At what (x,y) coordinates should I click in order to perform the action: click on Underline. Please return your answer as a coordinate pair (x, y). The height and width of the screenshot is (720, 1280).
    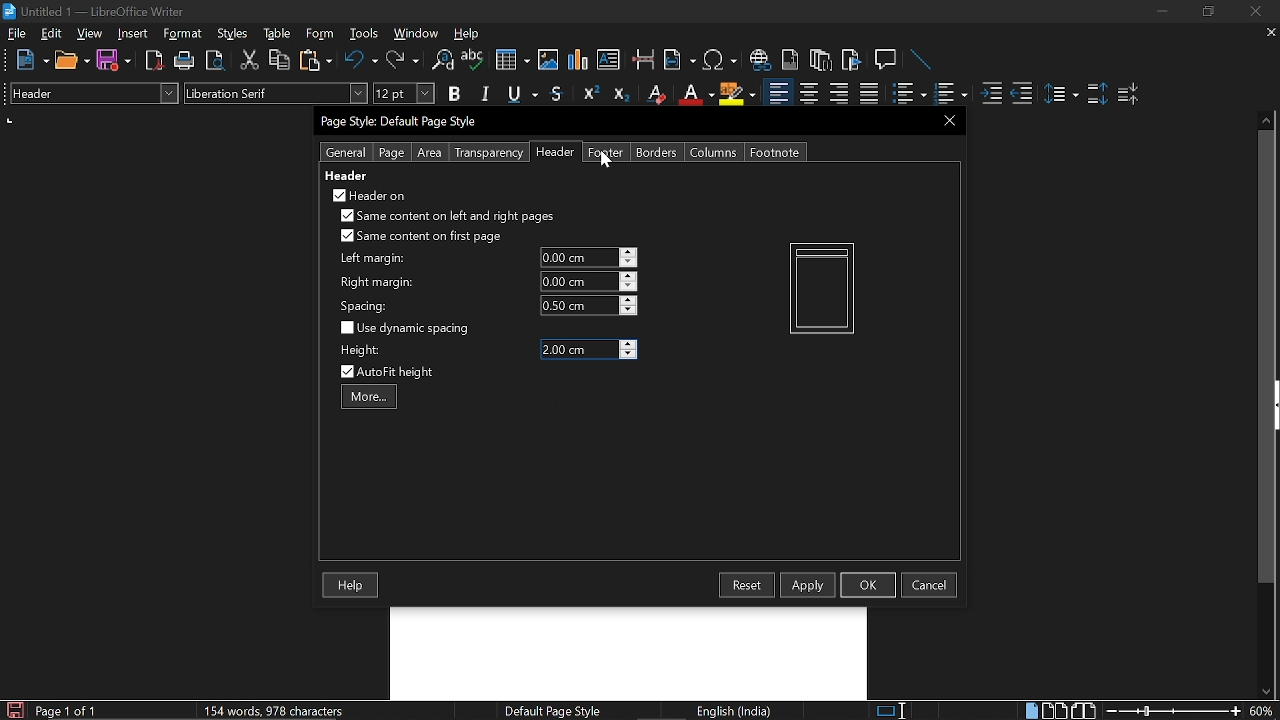
    Looking at the image, I should click on (695, 94).